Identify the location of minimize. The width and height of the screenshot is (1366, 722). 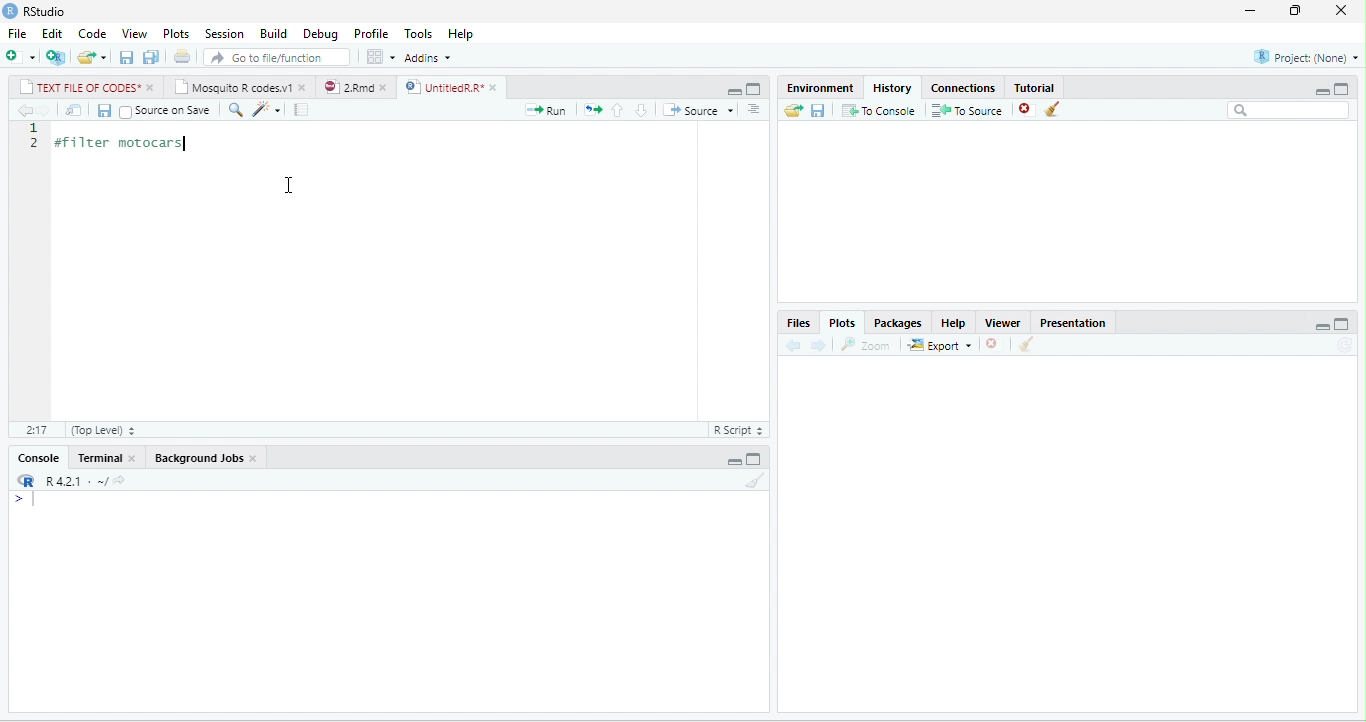
(1250, 11).